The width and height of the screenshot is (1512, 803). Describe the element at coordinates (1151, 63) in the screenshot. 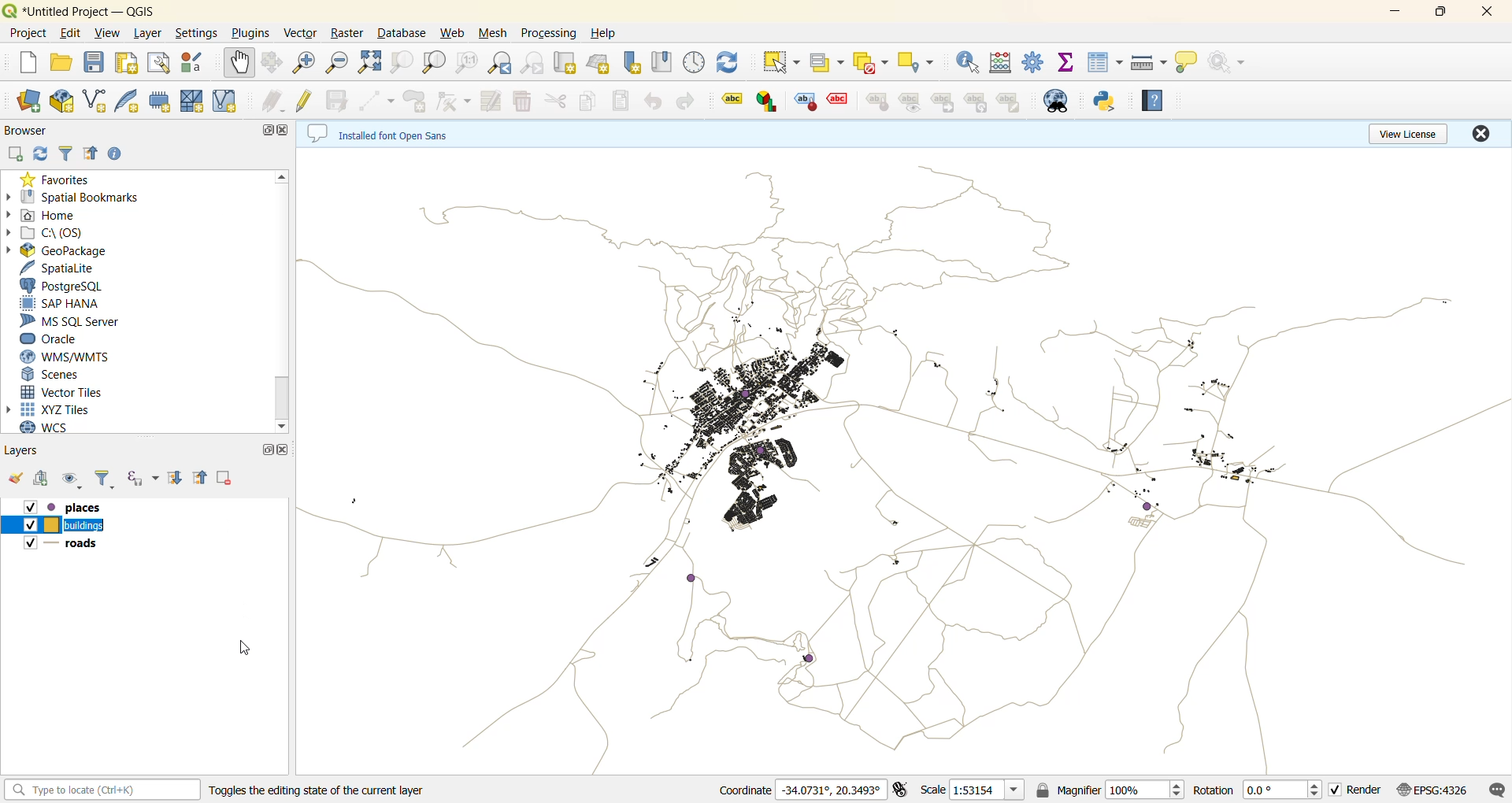

I see `measure line` at that location.